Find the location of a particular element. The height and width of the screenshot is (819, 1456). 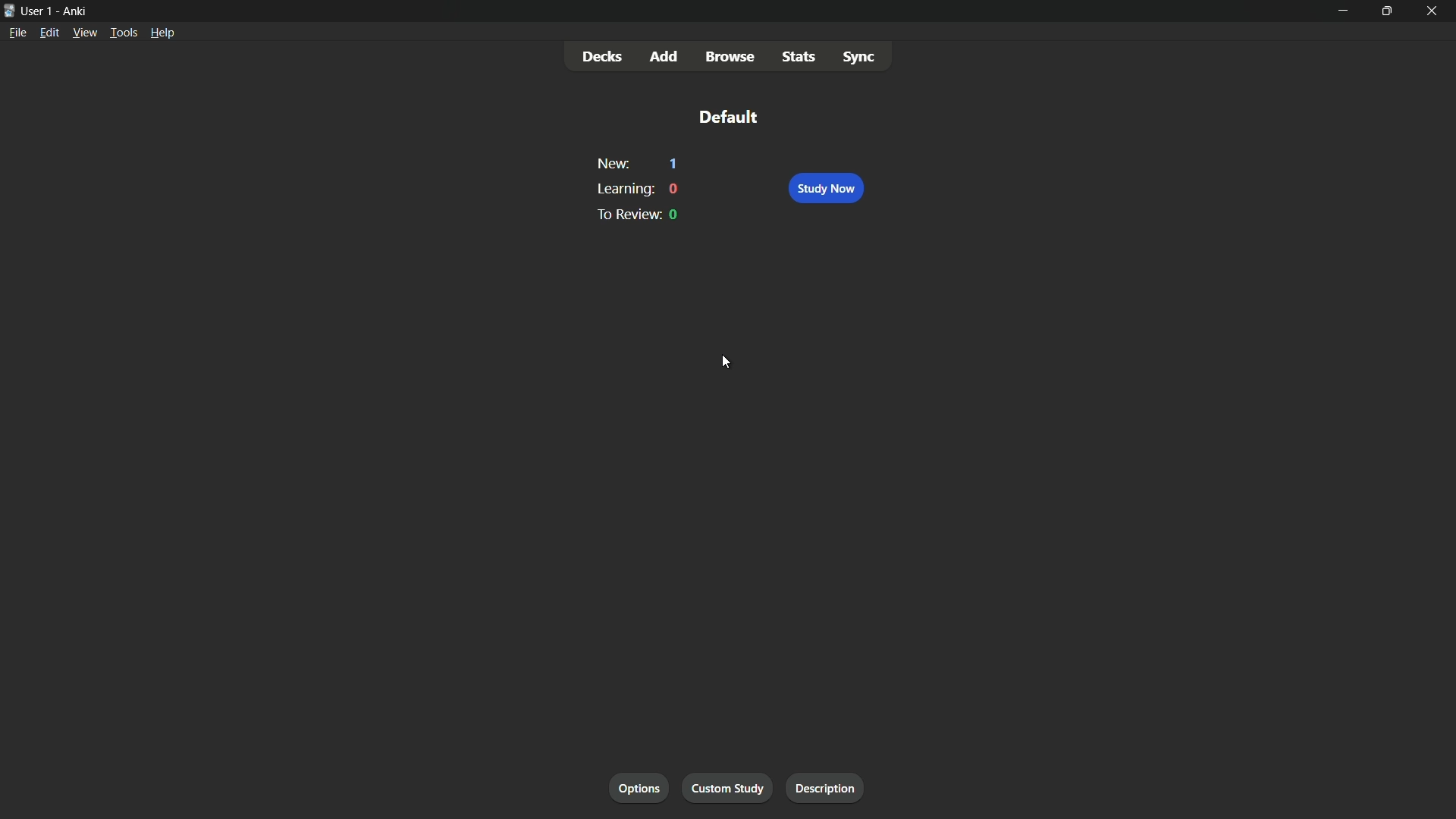

tools menu is located at coordinates (122, 32).